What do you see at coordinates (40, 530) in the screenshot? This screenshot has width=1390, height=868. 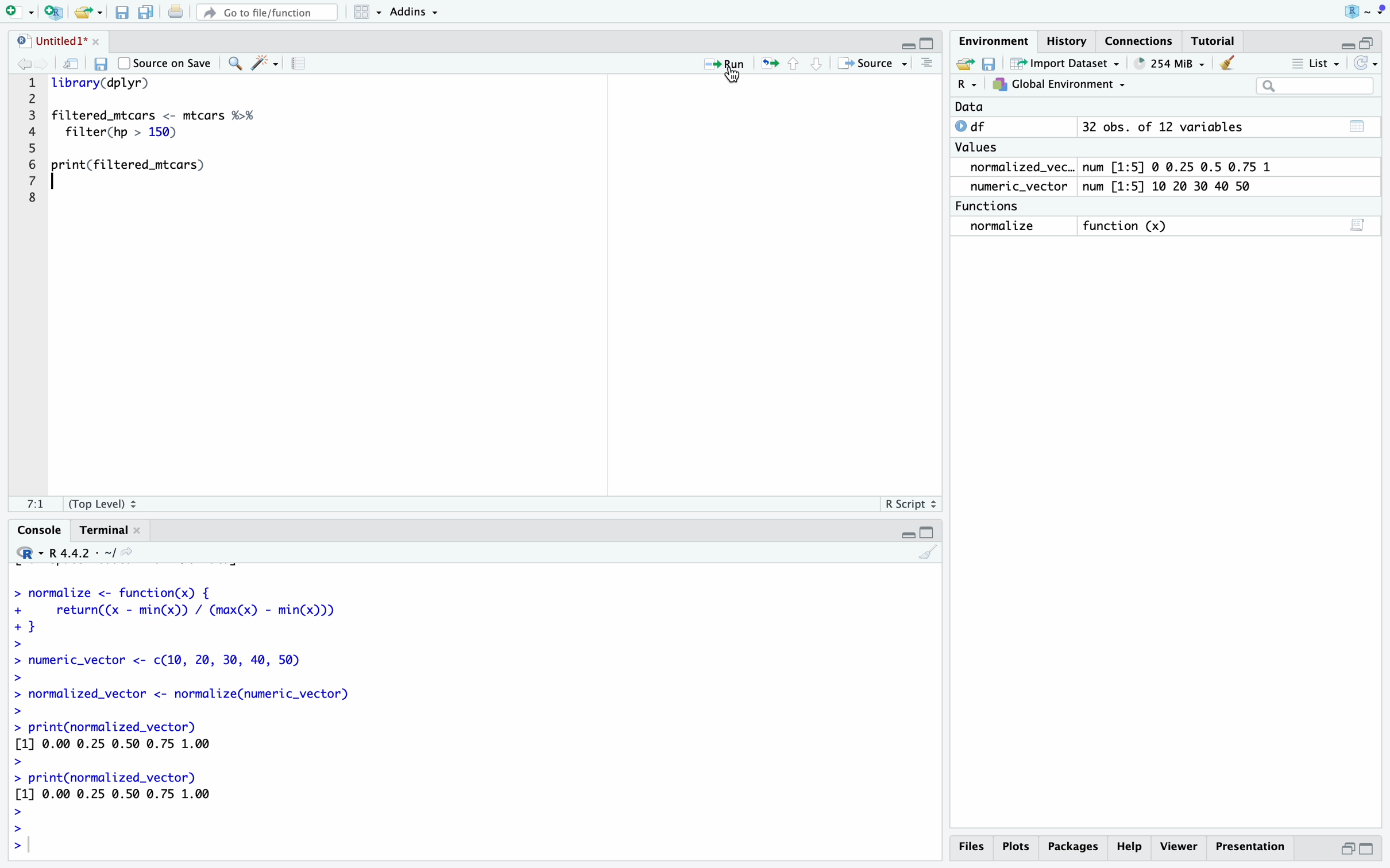 I see `Console` at bounding box center [40, 530].